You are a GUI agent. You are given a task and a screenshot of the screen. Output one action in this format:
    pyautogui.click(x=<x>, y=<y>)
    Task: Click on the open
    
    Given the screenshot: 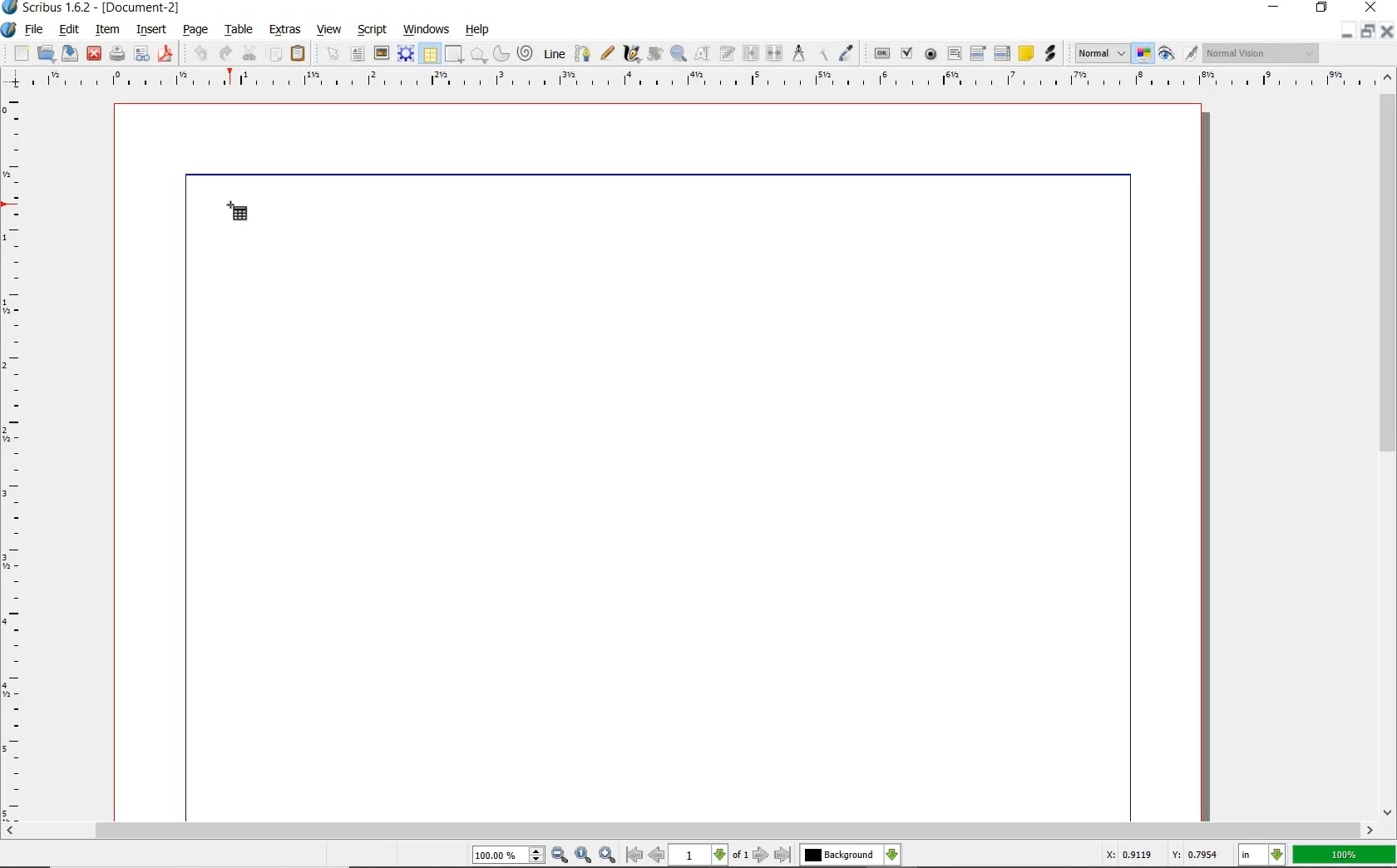 What is the action you would take?
    pyautogui.click(x=46, y=54)
    